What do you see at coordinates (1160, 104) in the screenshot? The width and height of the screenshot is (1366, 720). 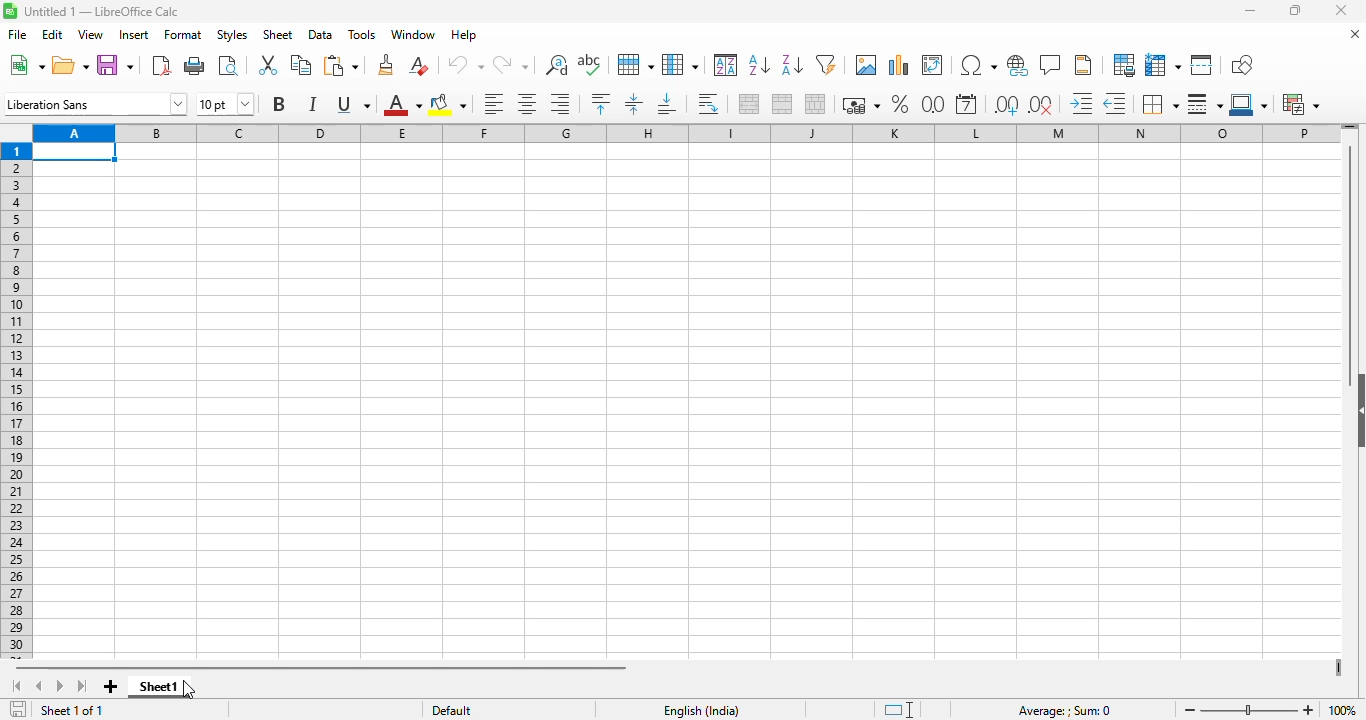 I see `borders` at bounding box center [1160, 104].